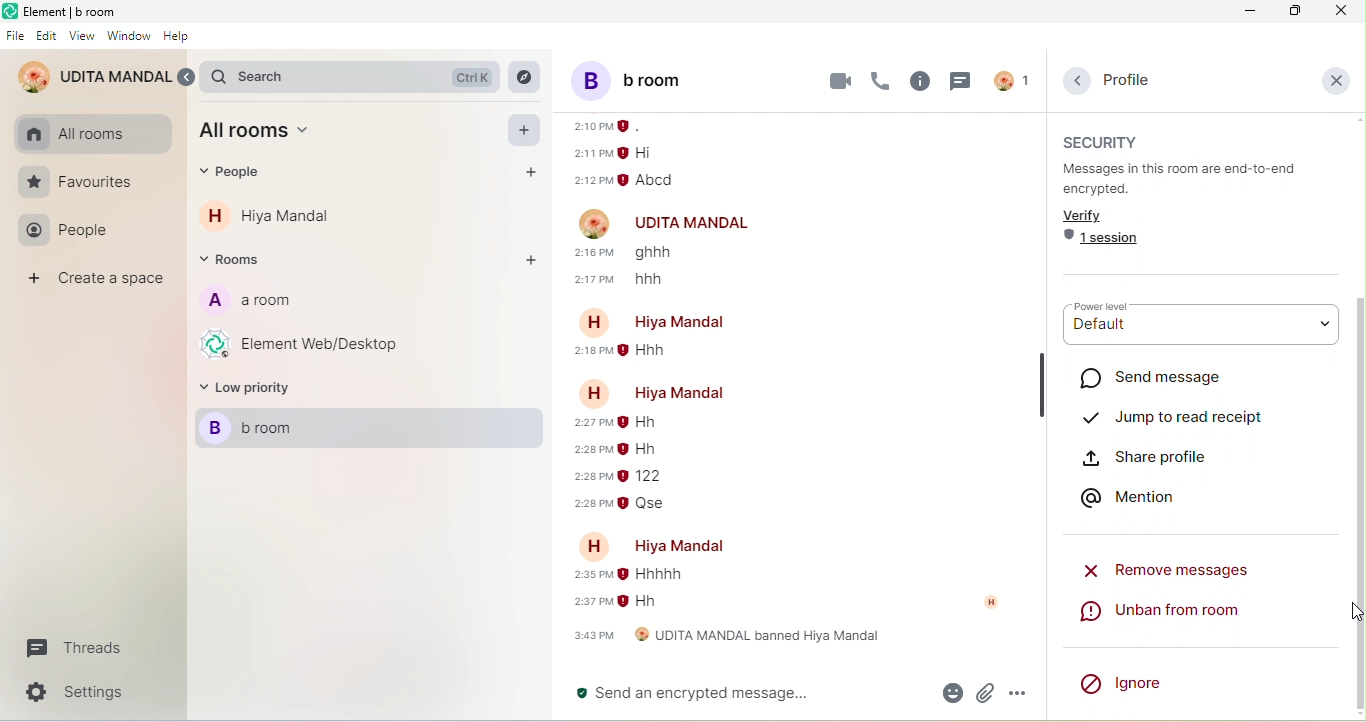 The width and height of the screenshot is (1366, 722). I want to click on room info, so click(921, 82).